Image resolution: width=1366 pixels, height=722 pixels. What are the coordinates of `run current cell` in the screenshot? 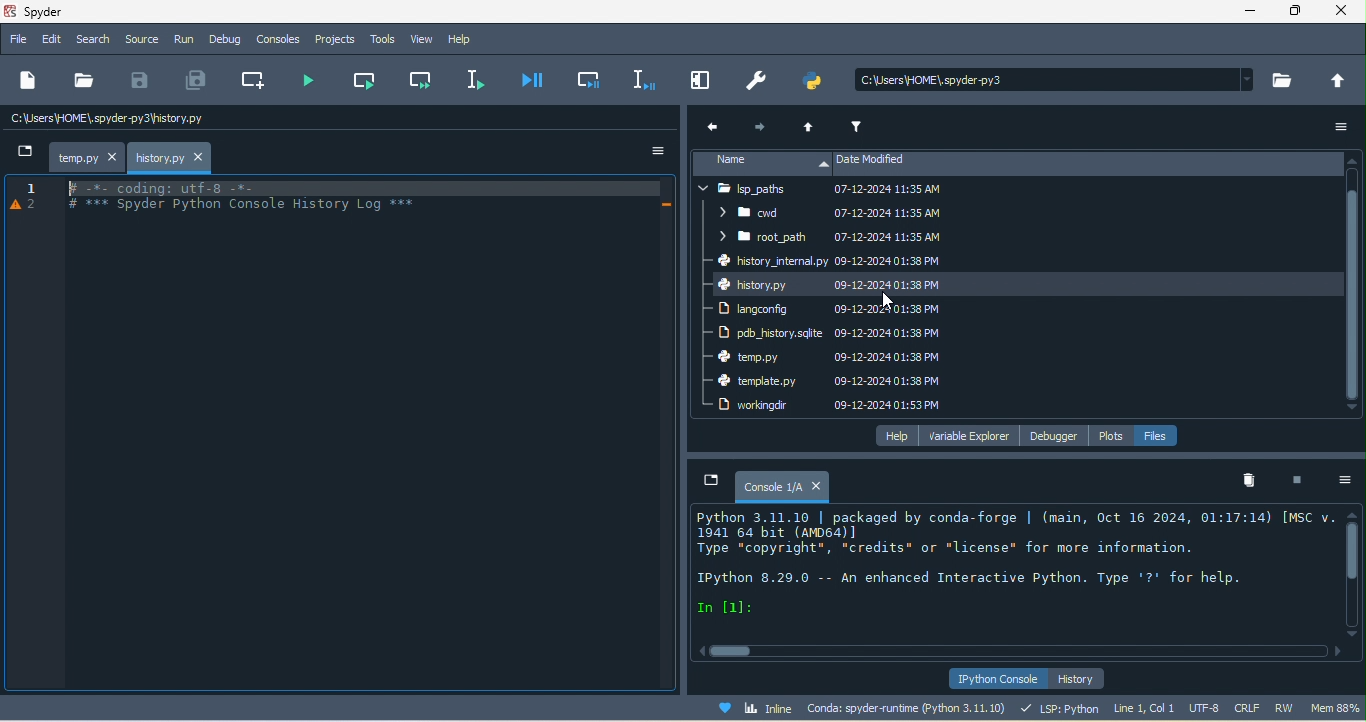 It's located at (363, 79).